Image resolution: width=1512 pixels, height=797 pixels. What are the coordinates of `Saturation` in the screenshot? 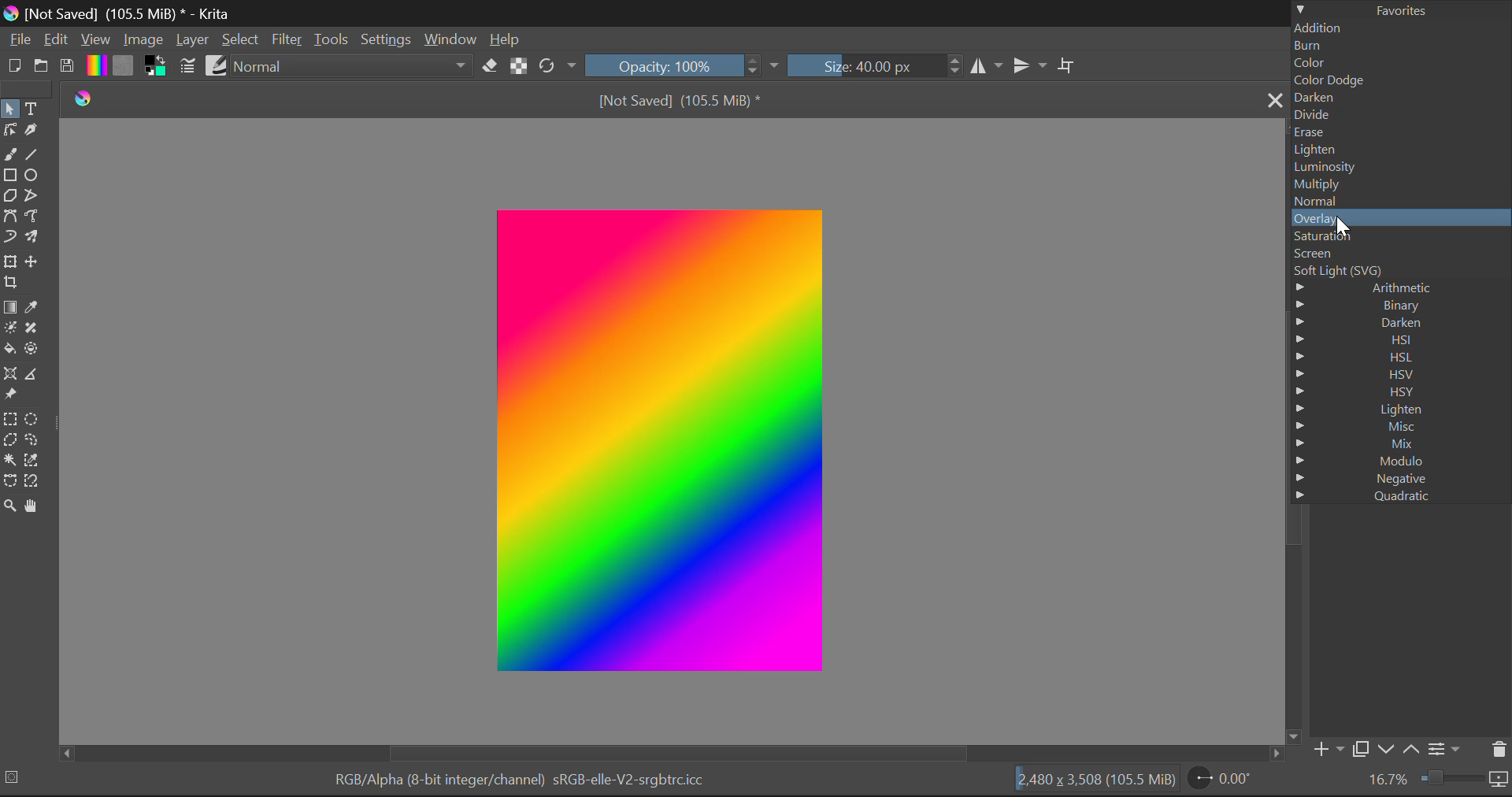 It's located at (1399, 237).